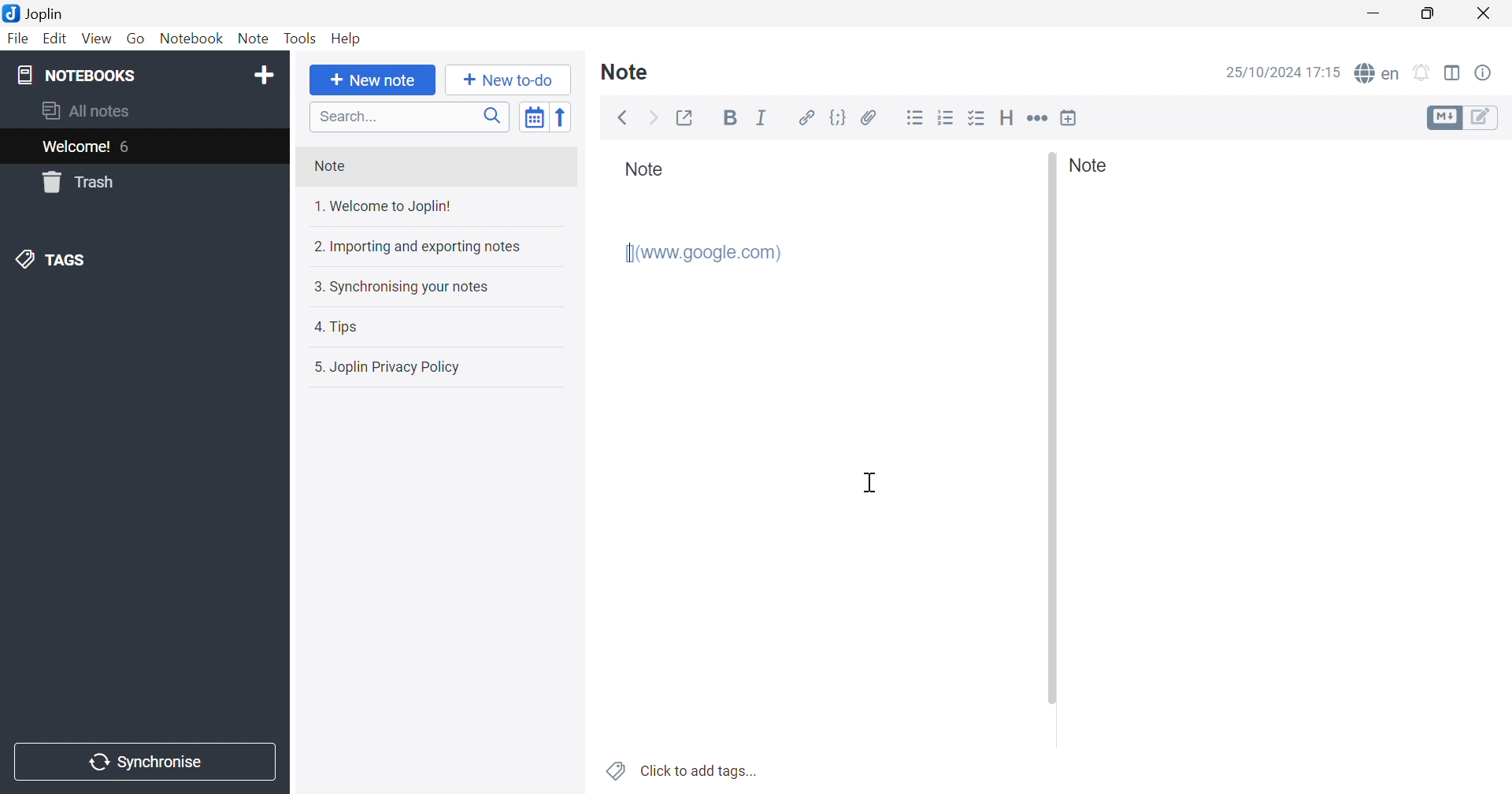 The height and width of the screenshot is (794, 1512). What do you see at coordinates (1007, 118) in the screenshot?
I see `Heading` at bounding box center [1007, 118].